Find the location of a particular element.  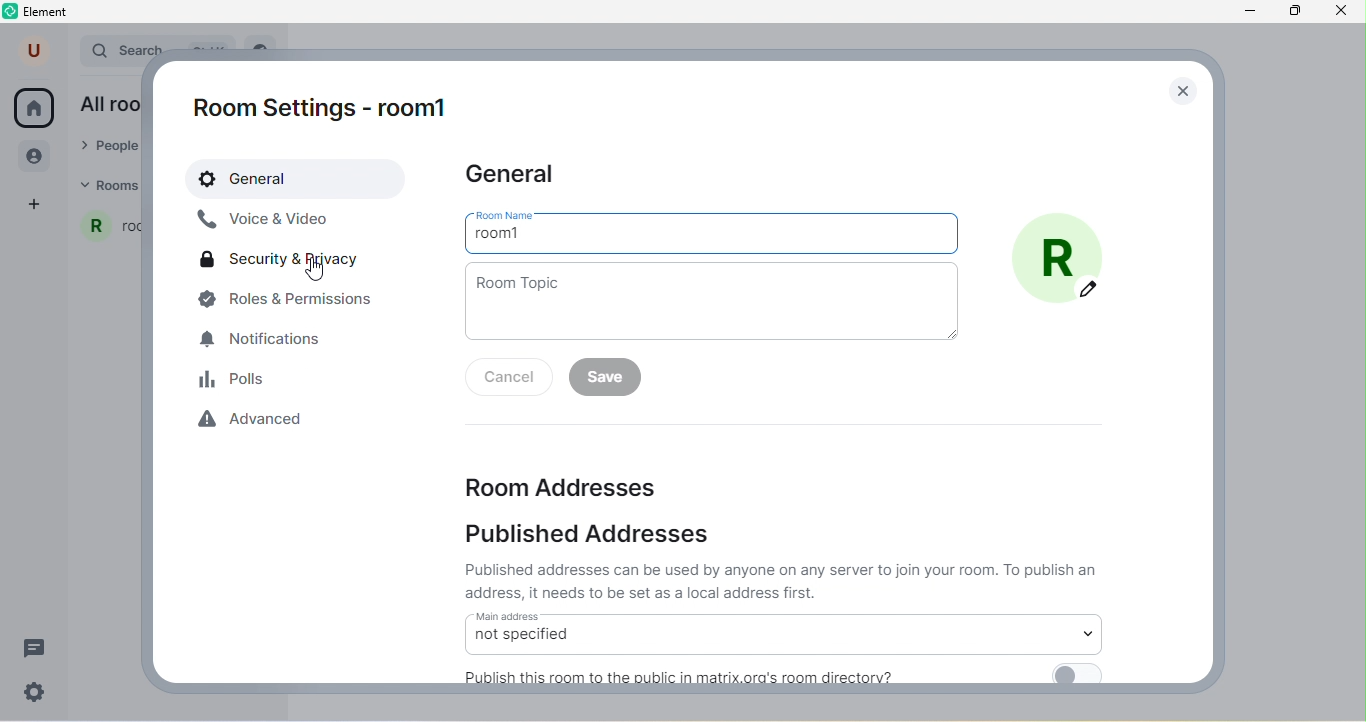

add photo is located at coordinates (1063, 257).